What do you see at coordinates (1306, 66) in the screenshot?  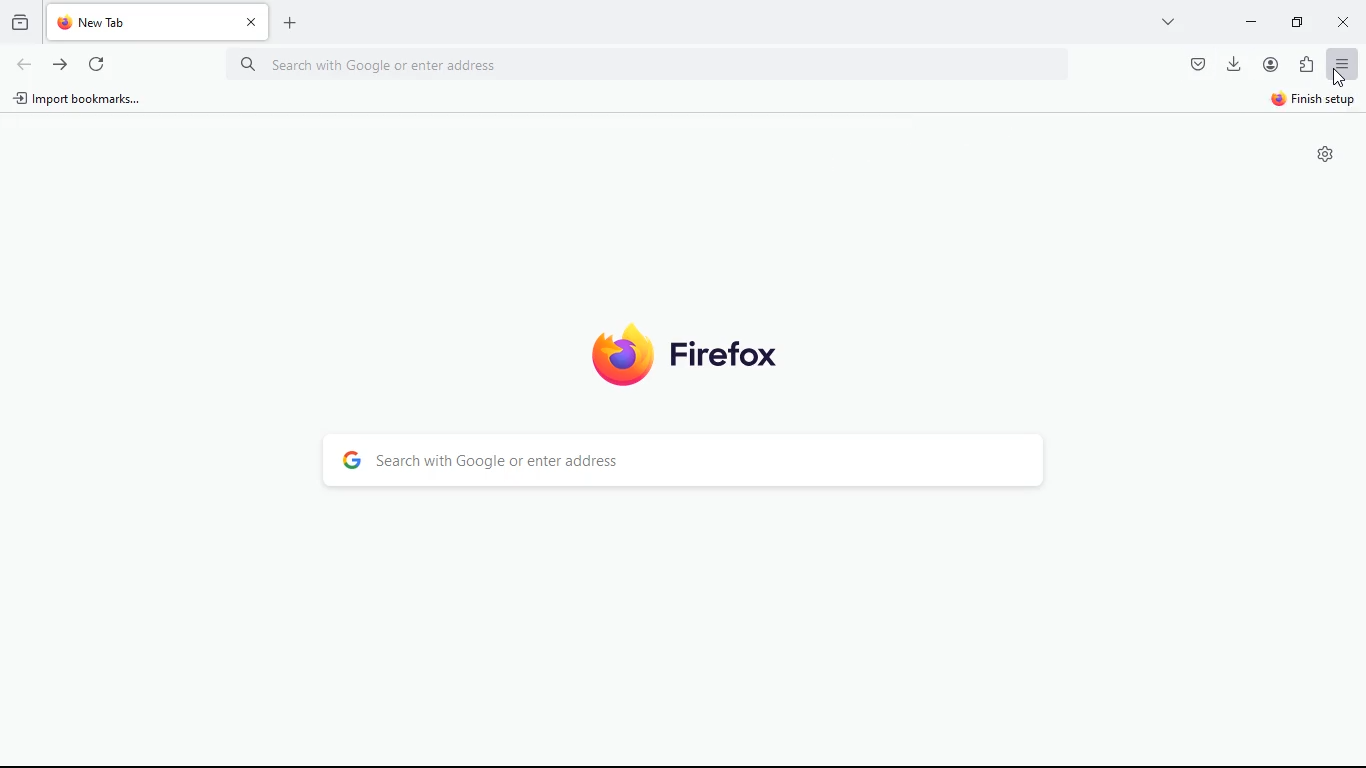 I see `extentions` at bounding box center [1306, 66].